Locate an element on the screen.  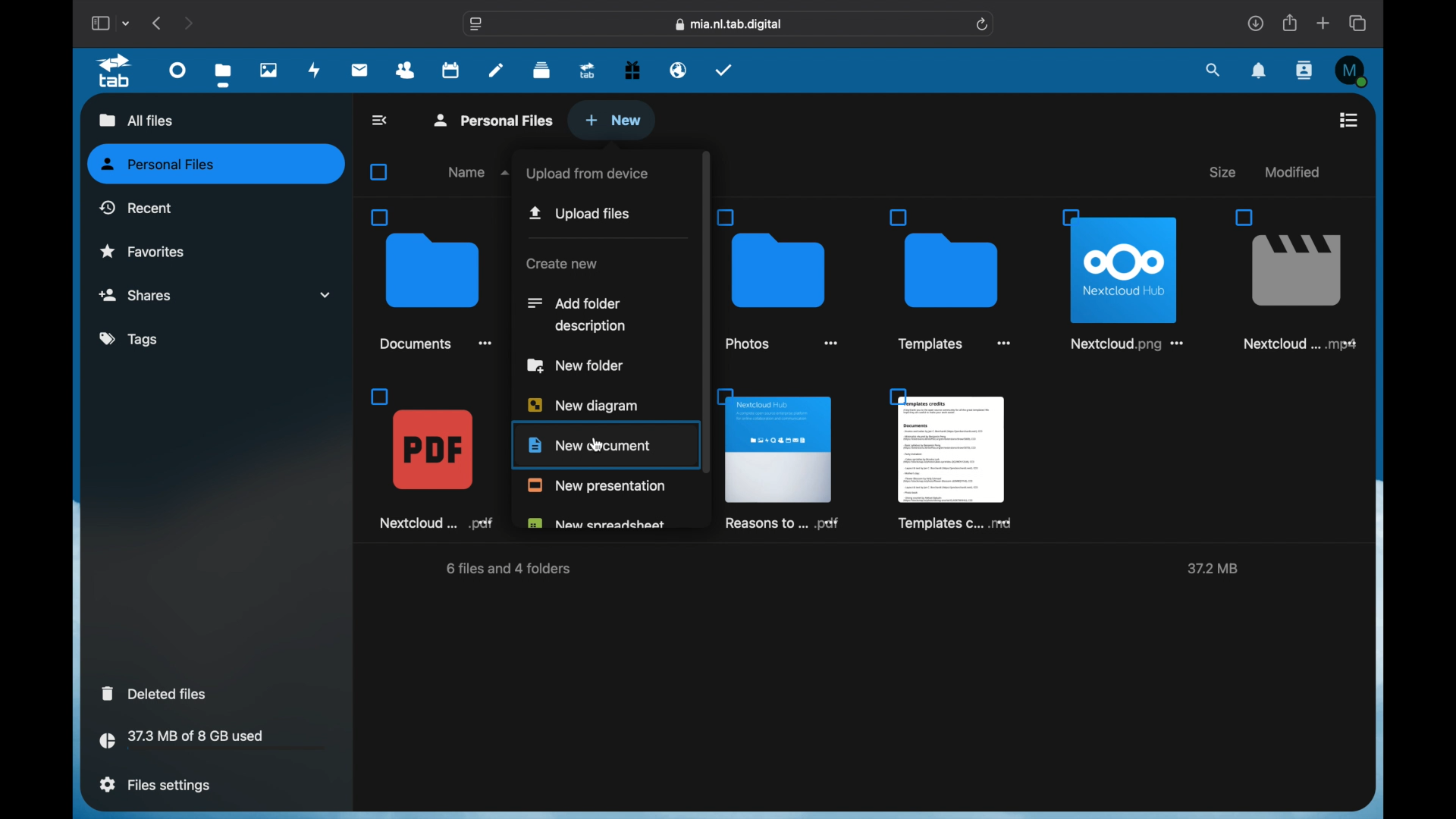
previous is located at coordinates (158, 23).